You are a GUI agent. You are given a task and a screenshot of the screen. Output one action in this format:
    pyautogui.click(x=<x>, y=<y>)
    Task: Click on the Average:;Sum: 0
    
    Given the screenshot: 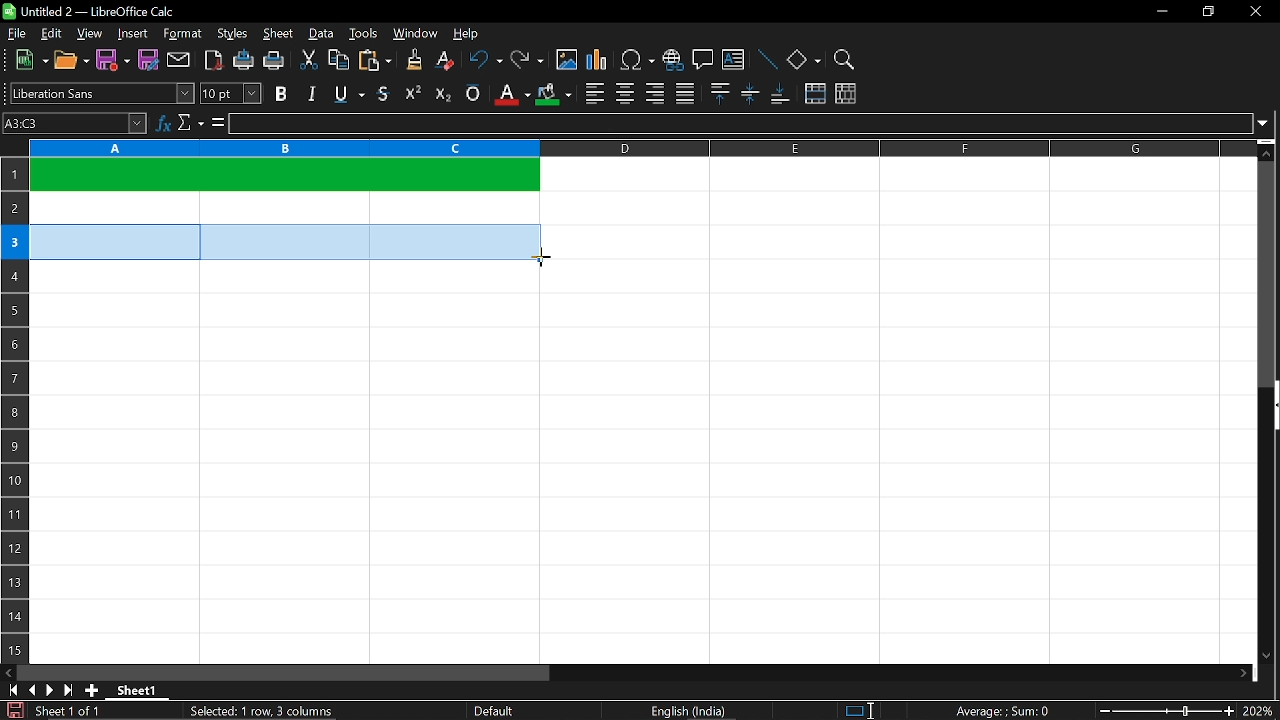 What is the action you would take?
    pyautogui.click(x=1002, y=710)
    